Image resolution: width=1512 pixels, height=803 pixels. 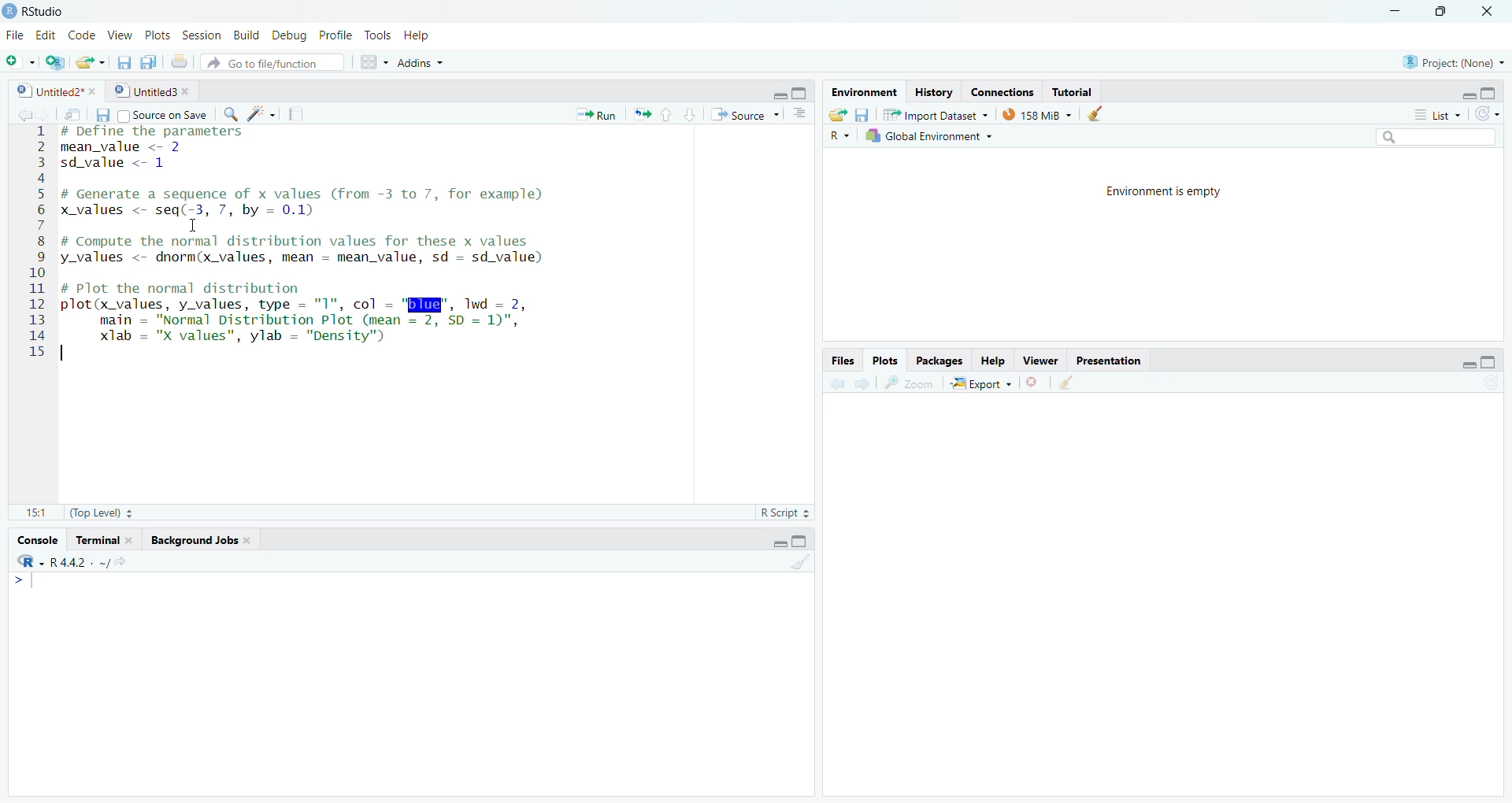 I want to click on forward/backward, so click(x=28, y=114).